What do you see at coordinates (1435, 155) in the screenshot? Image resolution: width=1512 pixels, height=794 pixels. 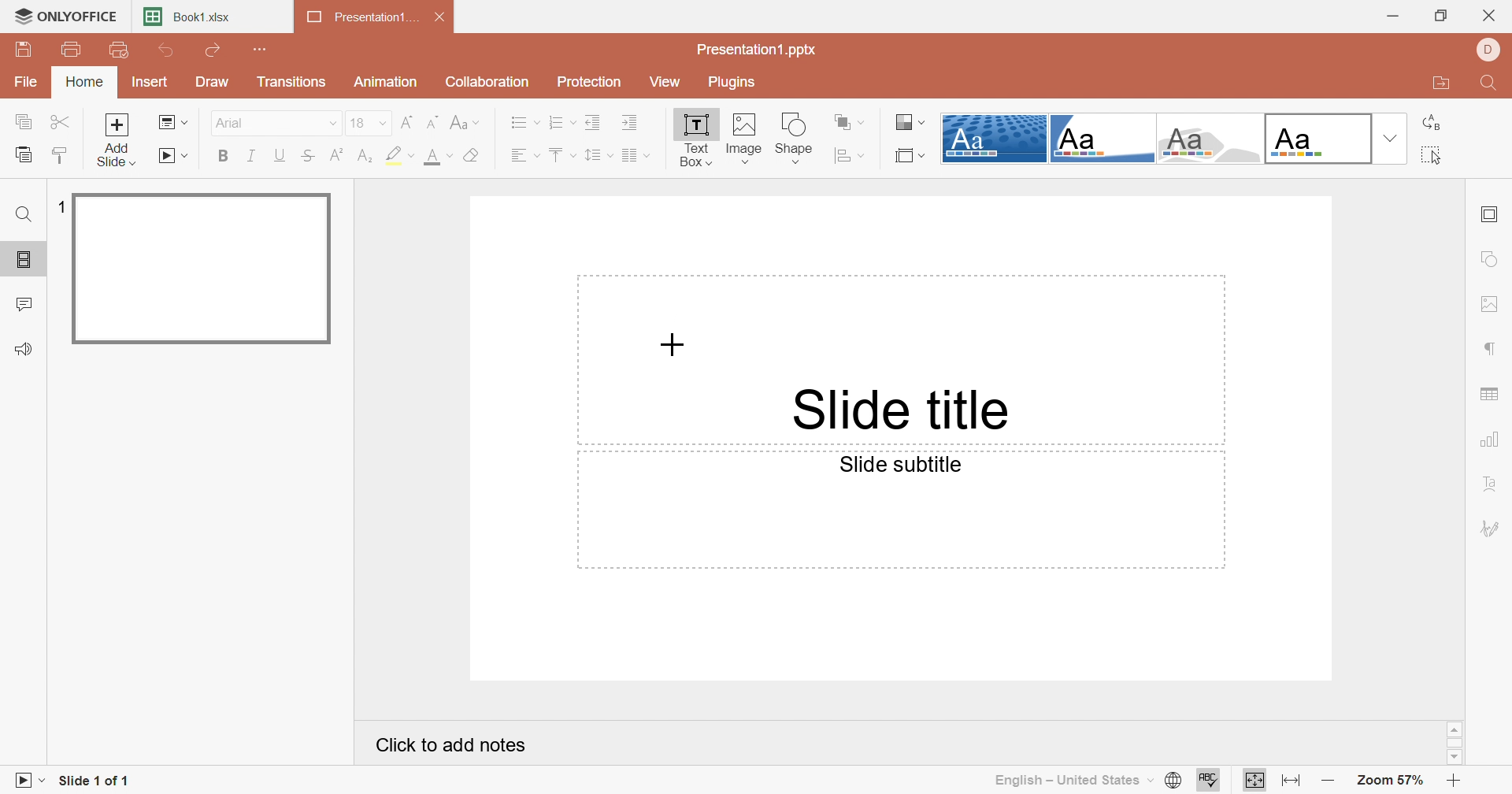 I see `Select all` at bounding box center [1435, 155].